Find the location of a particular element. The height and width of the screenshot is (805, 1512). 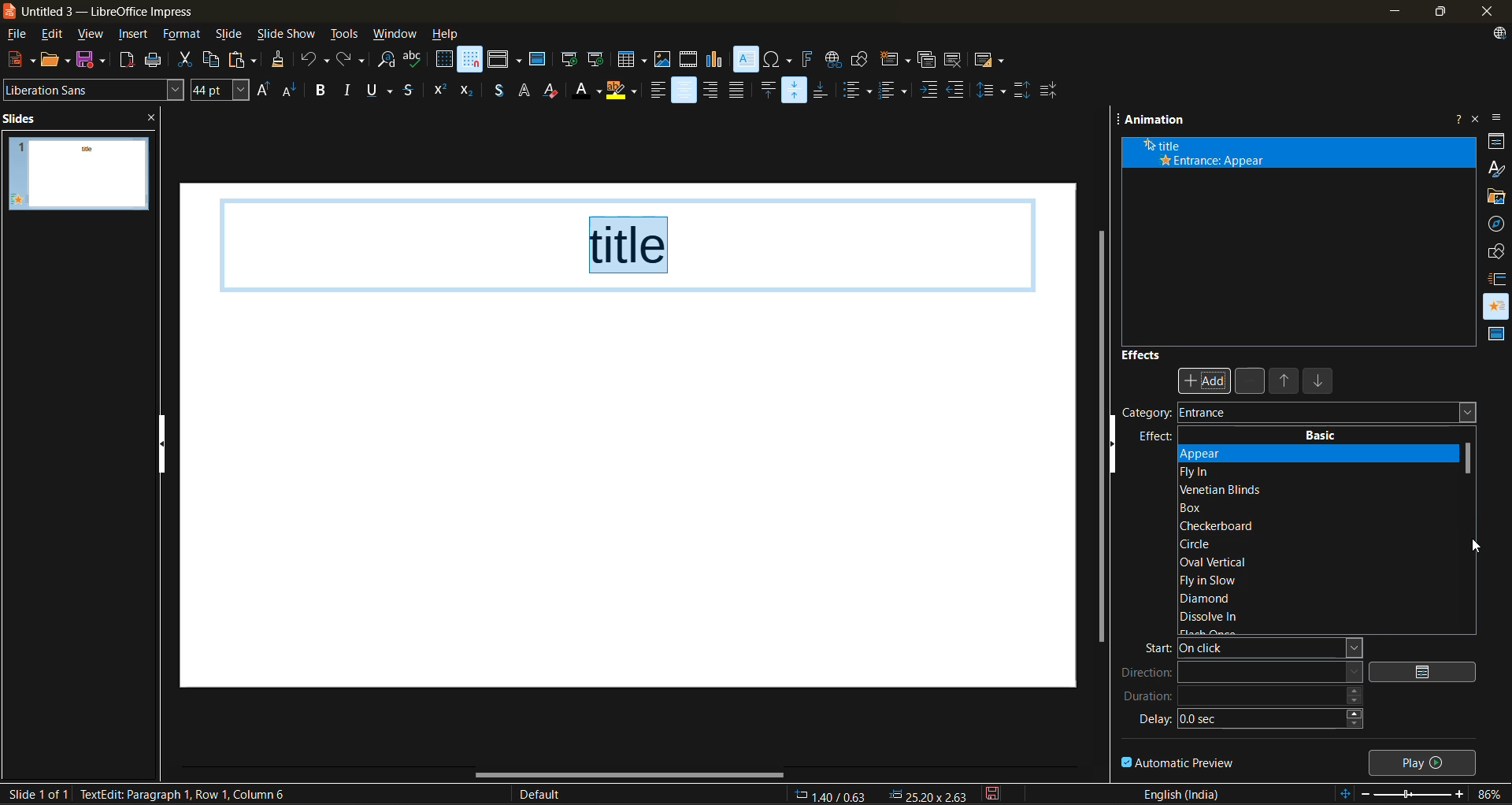

clear direct formatting is located at coordinates (555, 92).